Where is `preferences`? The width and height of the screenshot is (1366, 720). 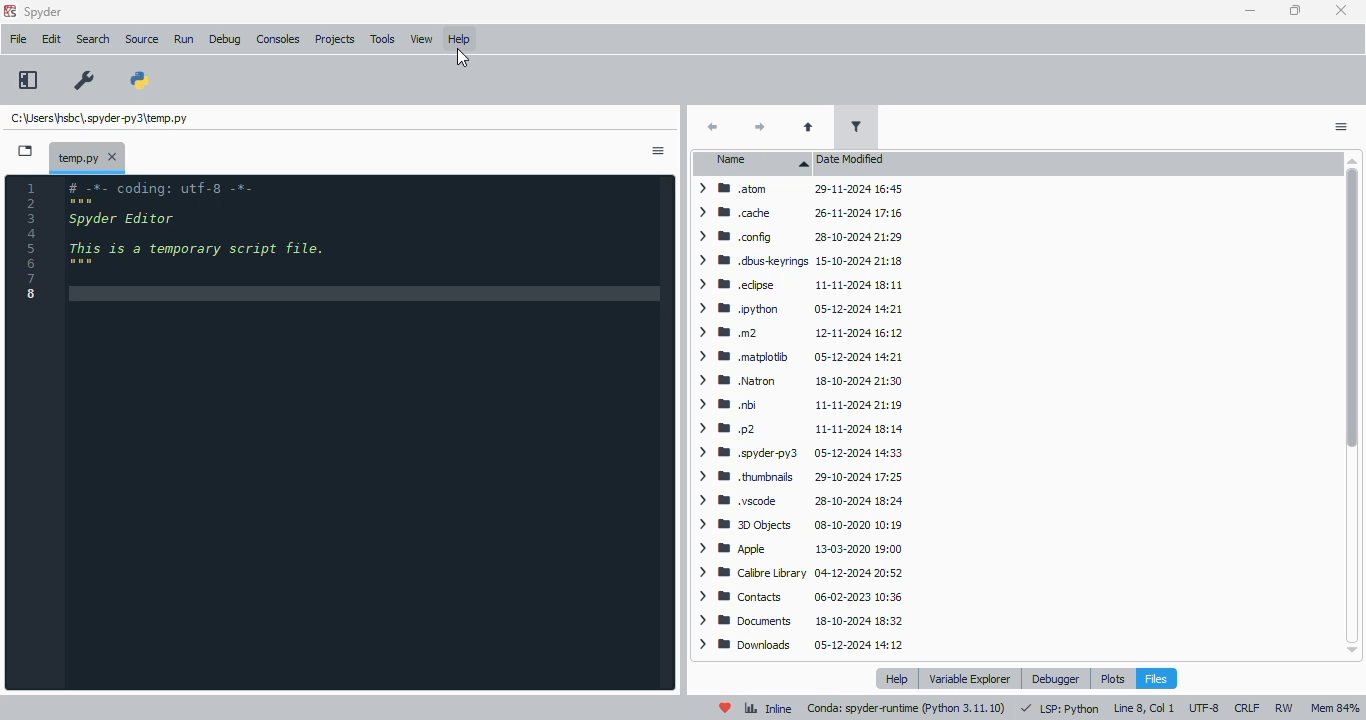 preferences is located at coordinates (86, 81).